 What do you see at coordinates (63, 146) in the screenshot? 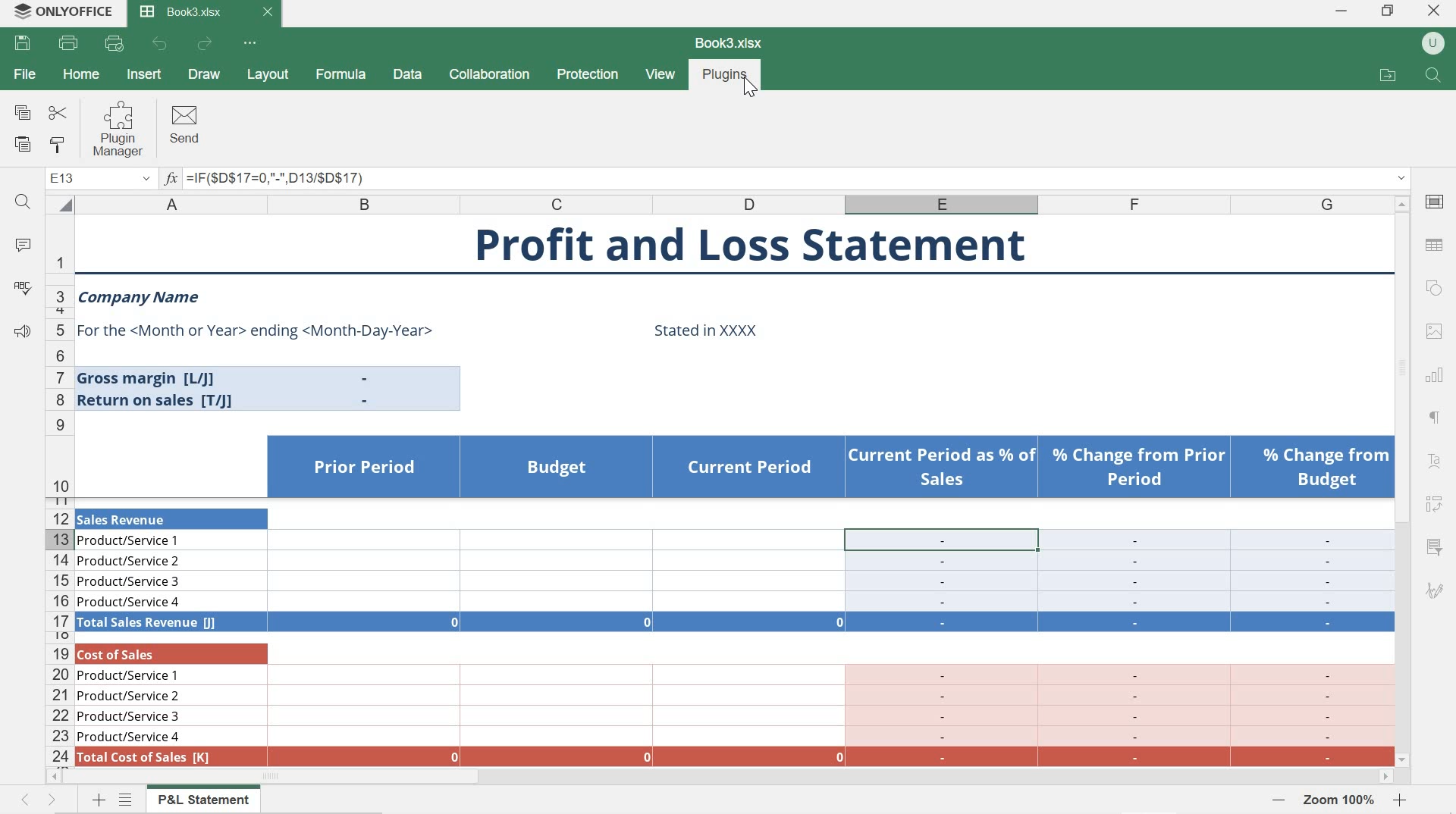
I see `copy style` at bounding box center [63, 146].